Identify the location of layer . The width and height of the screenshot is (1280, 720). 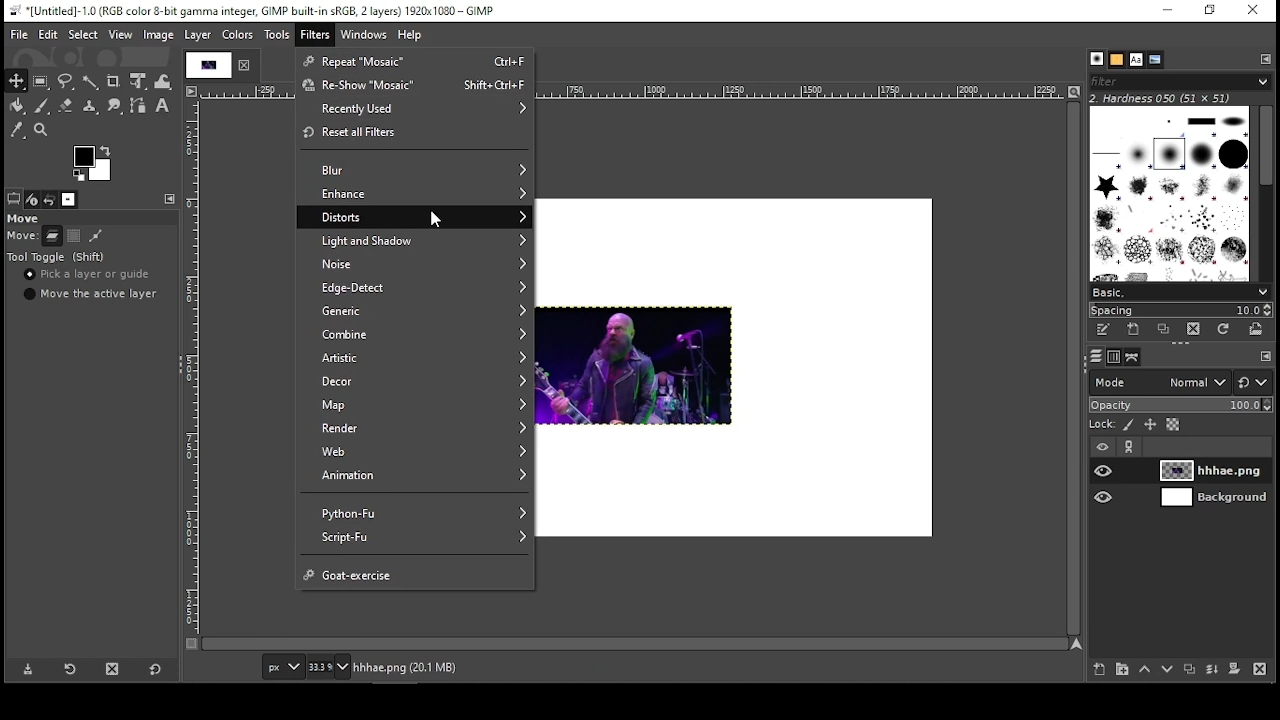
(1215, 499).